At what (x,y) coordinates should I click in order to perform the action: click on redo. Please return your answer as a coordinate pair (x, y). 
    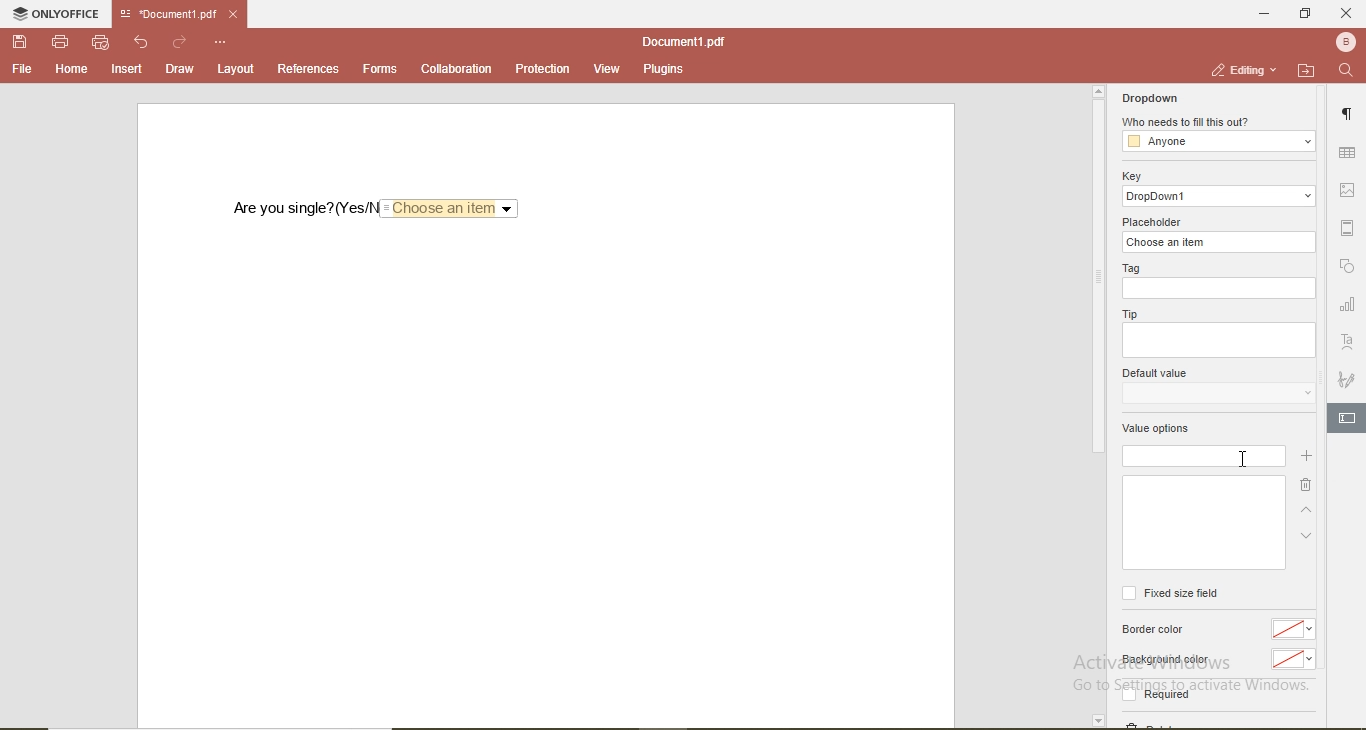
    Looking at the image, I should click on (180, 43).